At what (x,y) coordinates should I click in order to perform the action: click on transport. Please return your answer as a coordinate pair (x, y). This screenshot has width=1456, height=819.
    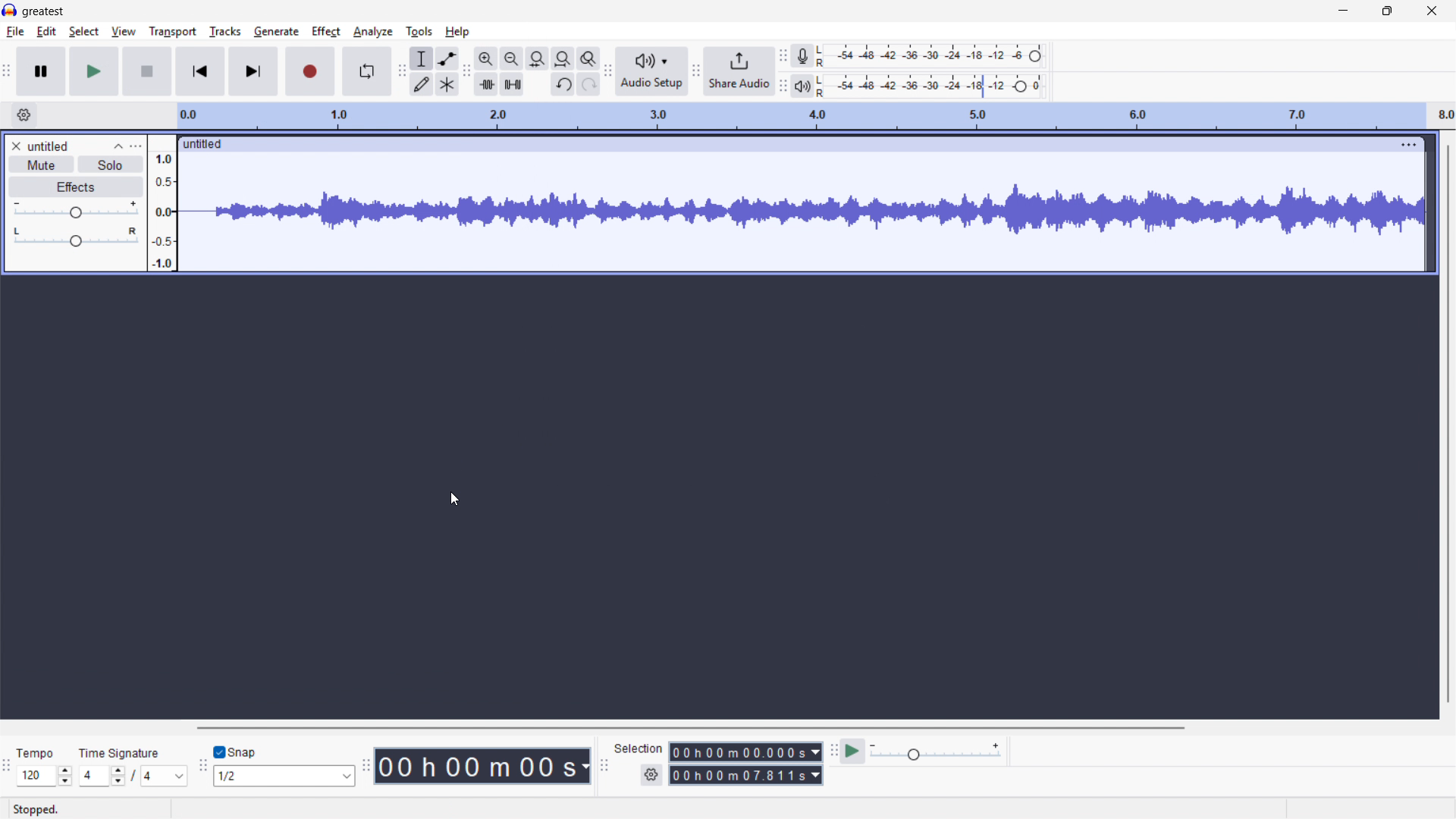
    Looking at the image, I should click on (173, 32).